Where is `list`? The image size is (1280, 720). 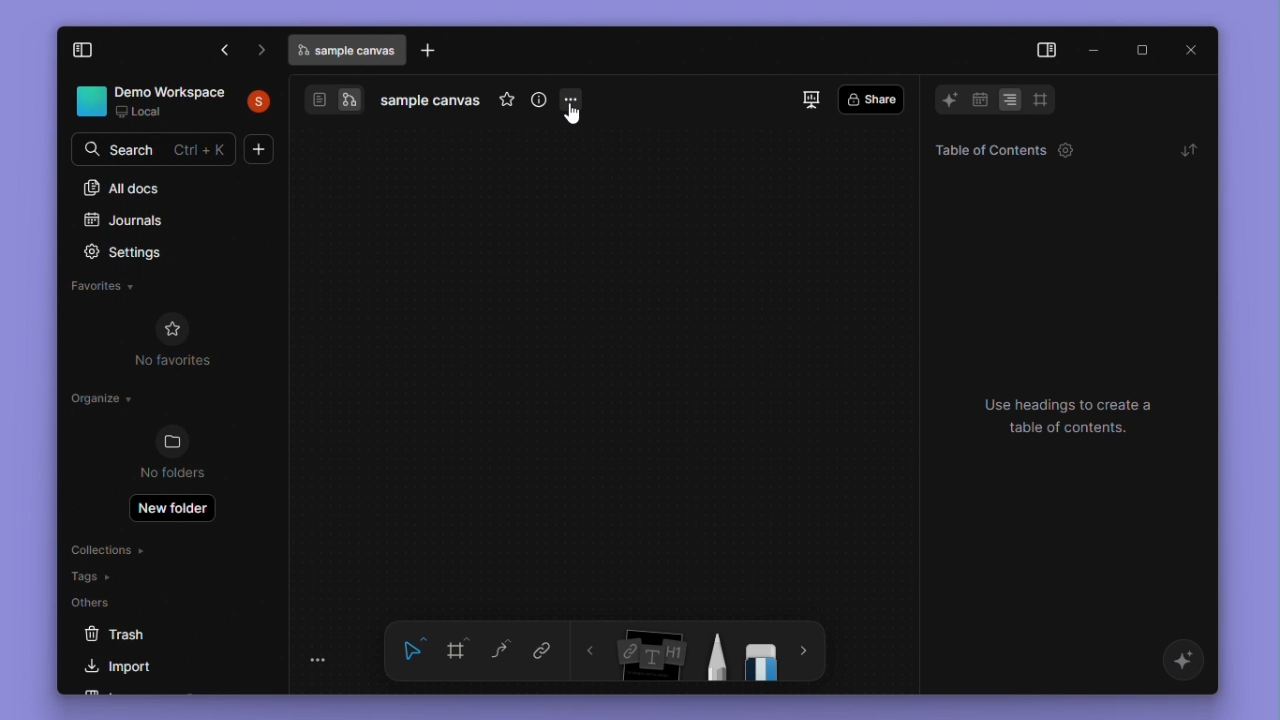
list is located at coordinates (1011, 100).